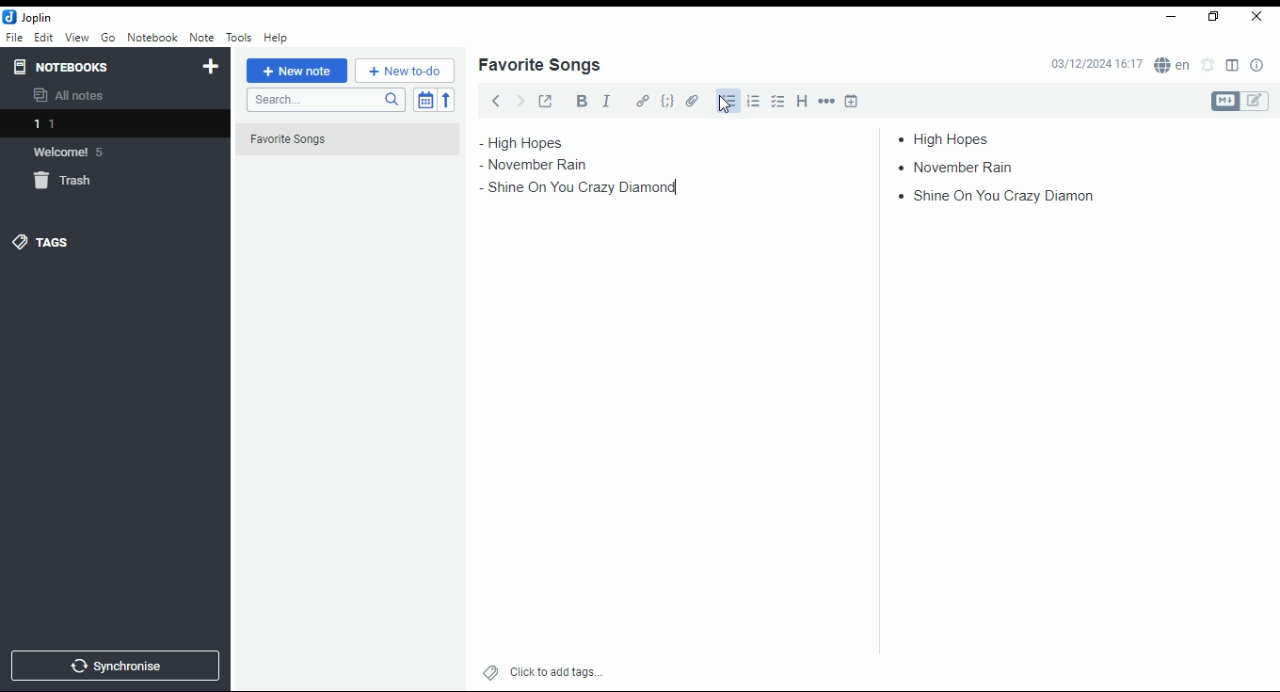 The height and width of the screenshot is (692, 1280). What do you see at coordinates (496, 100) in the screenshot?
I see `back` at bounding box center [496, 100].